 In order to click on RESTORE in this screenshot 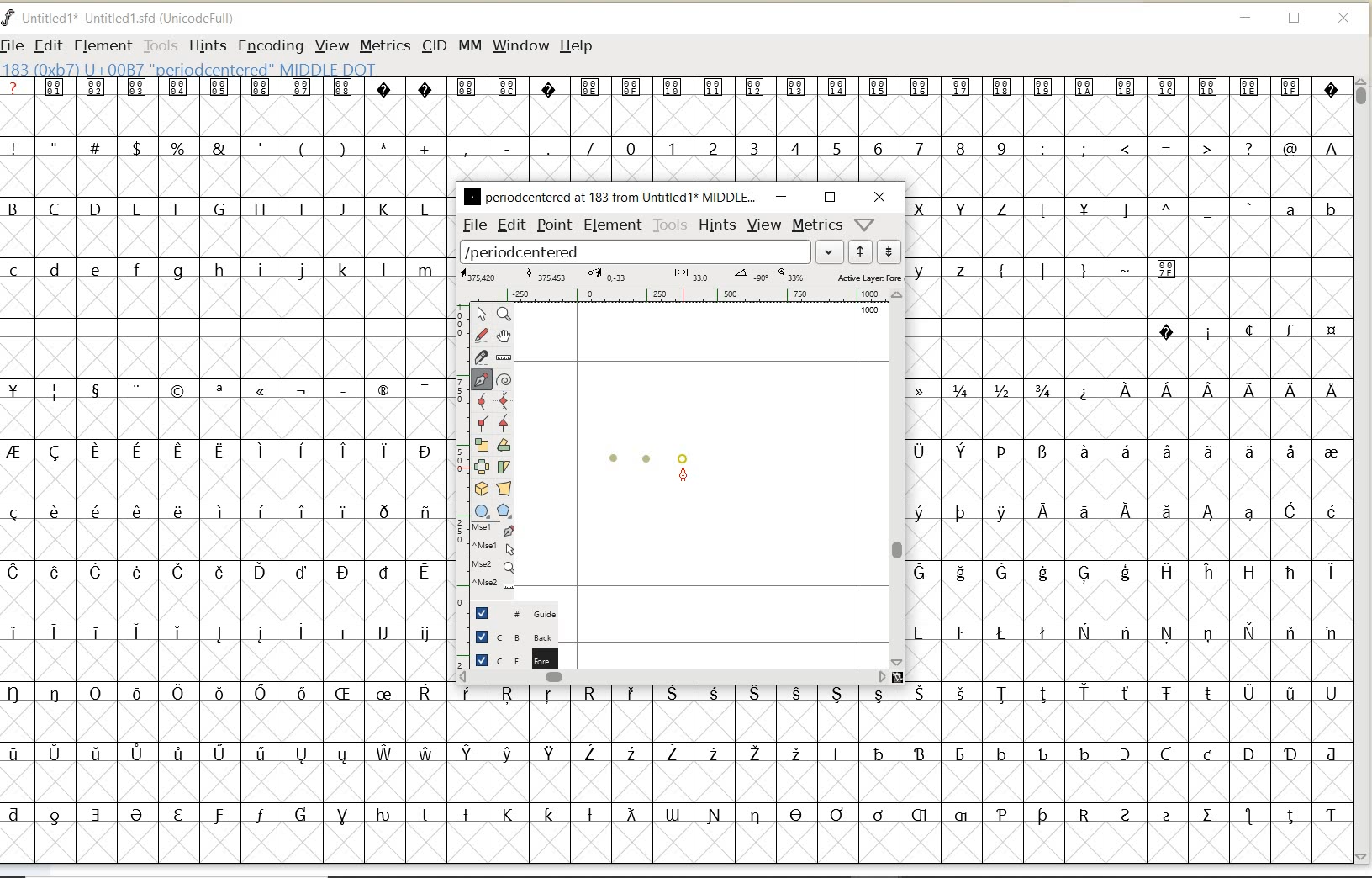, I will do `click(1295, 21)`.